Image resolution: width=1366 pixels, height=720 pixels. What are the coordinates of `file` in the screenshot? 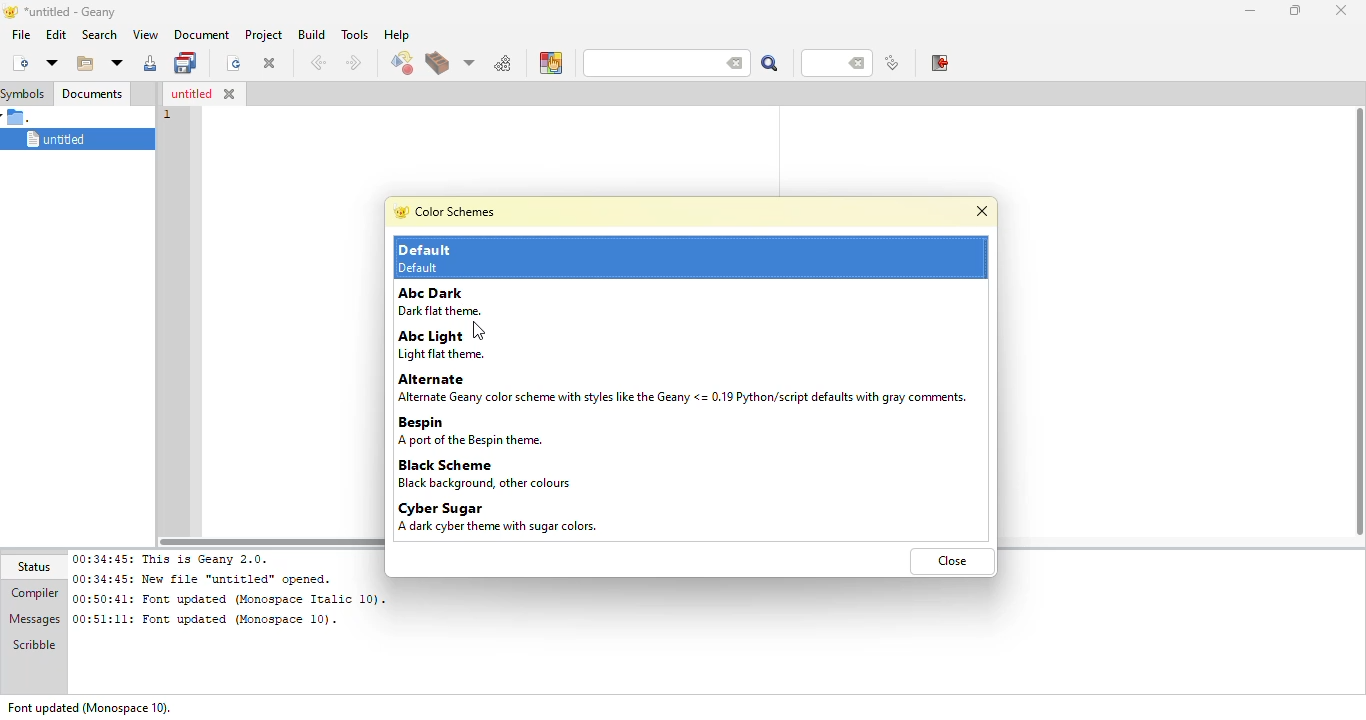 It's located at (20, 34).